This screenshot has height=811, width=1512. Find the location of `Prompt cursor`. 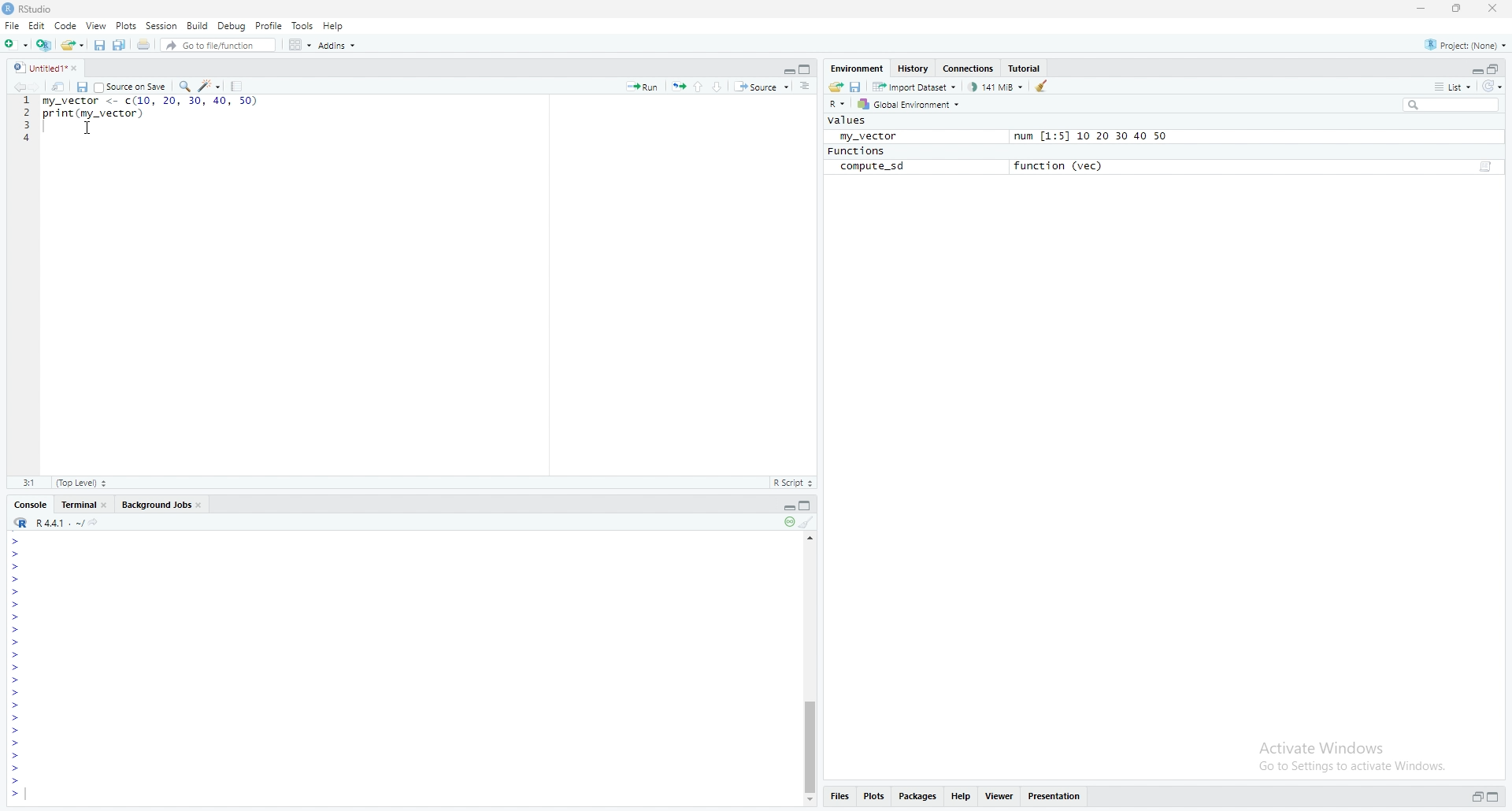

Prompt cursor is located at coordinates (13, 643).